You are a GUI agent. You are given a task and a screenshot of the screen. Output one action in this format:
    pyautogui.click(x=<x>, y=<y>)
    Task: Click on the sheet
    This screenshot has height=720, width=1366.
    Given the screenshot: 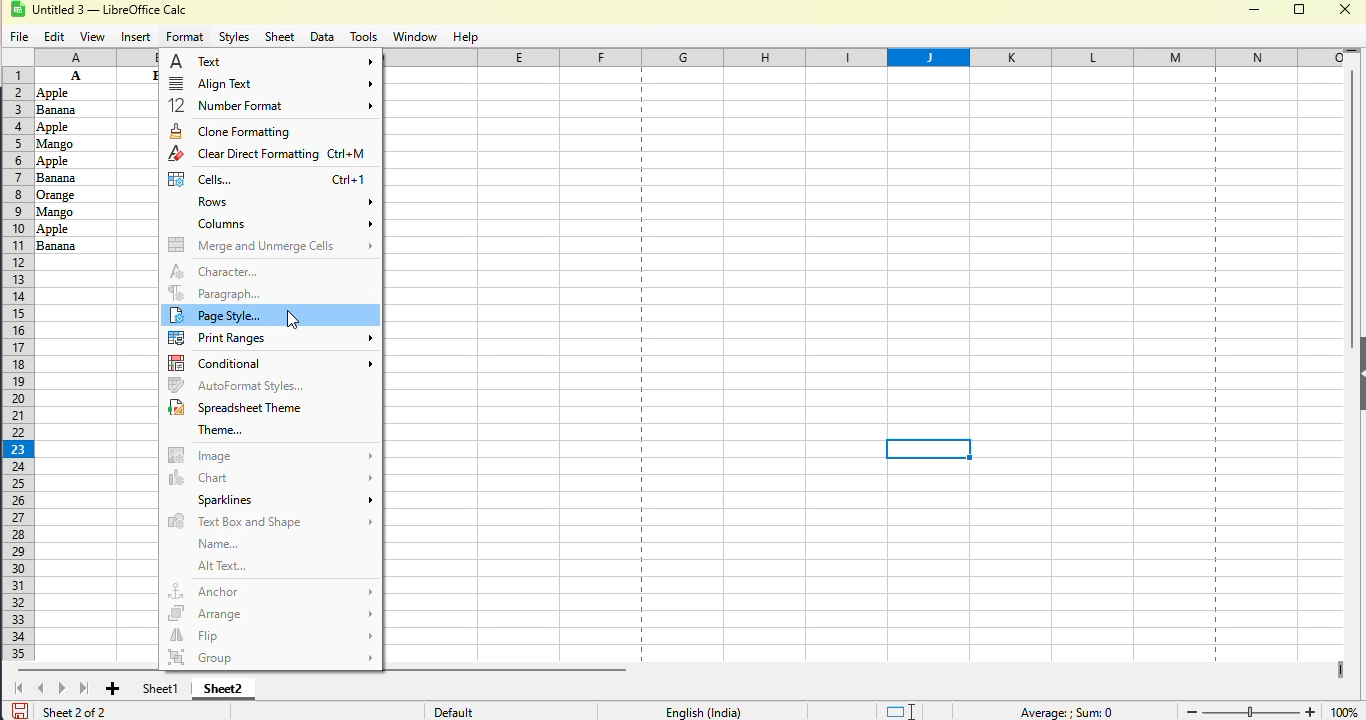 What is the action you would take?
    pyautogui.click(x=280, y=37)
    